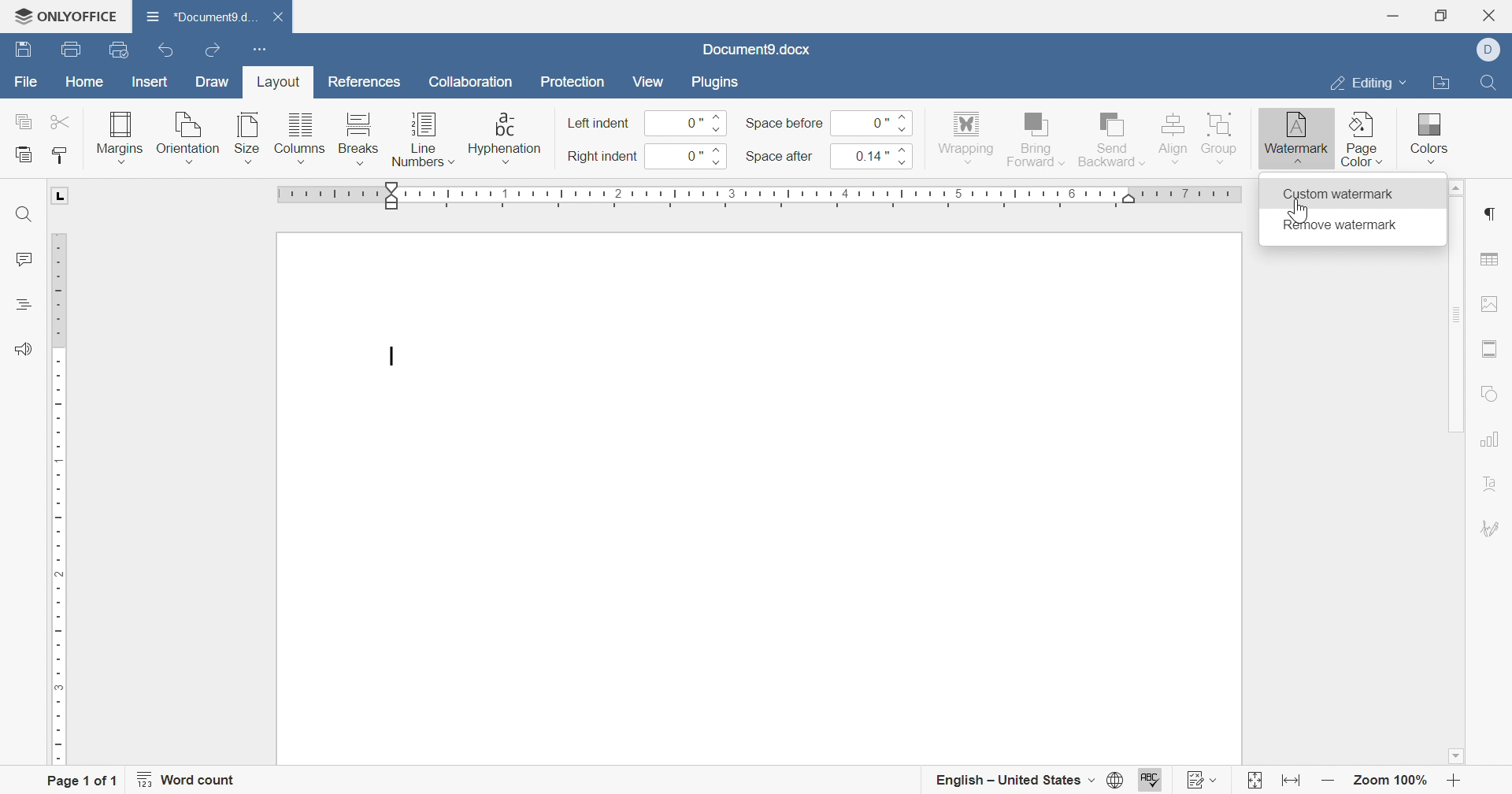 Image resolution: width=1512 pixels, height=794 pixels. Describe the element at coordinates (1298, 213) in the screenshot. I see `cursor` at that location.